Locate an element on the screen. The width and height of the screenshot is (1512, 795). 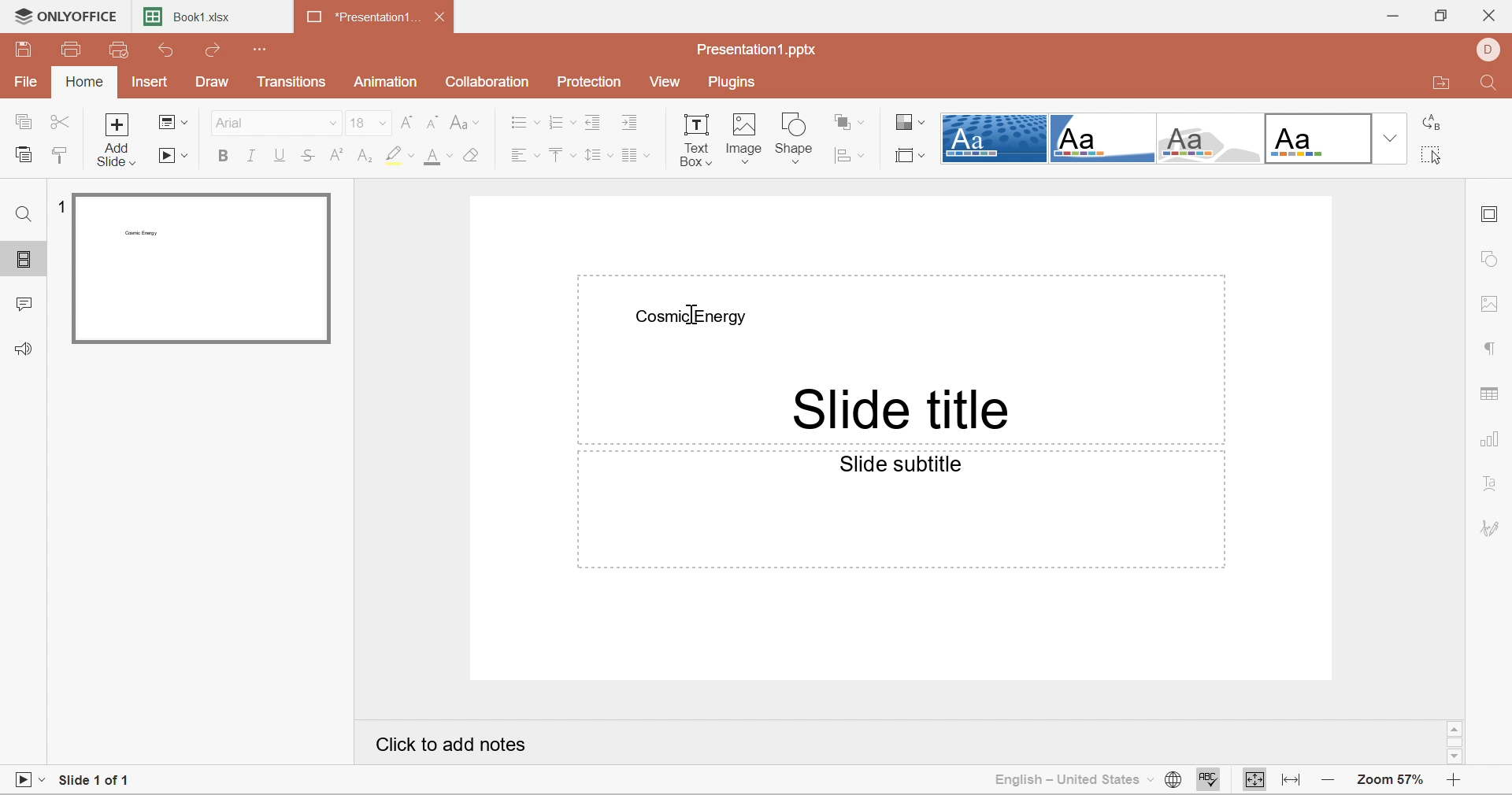
Copy Style is located at coordinates (58, 156).